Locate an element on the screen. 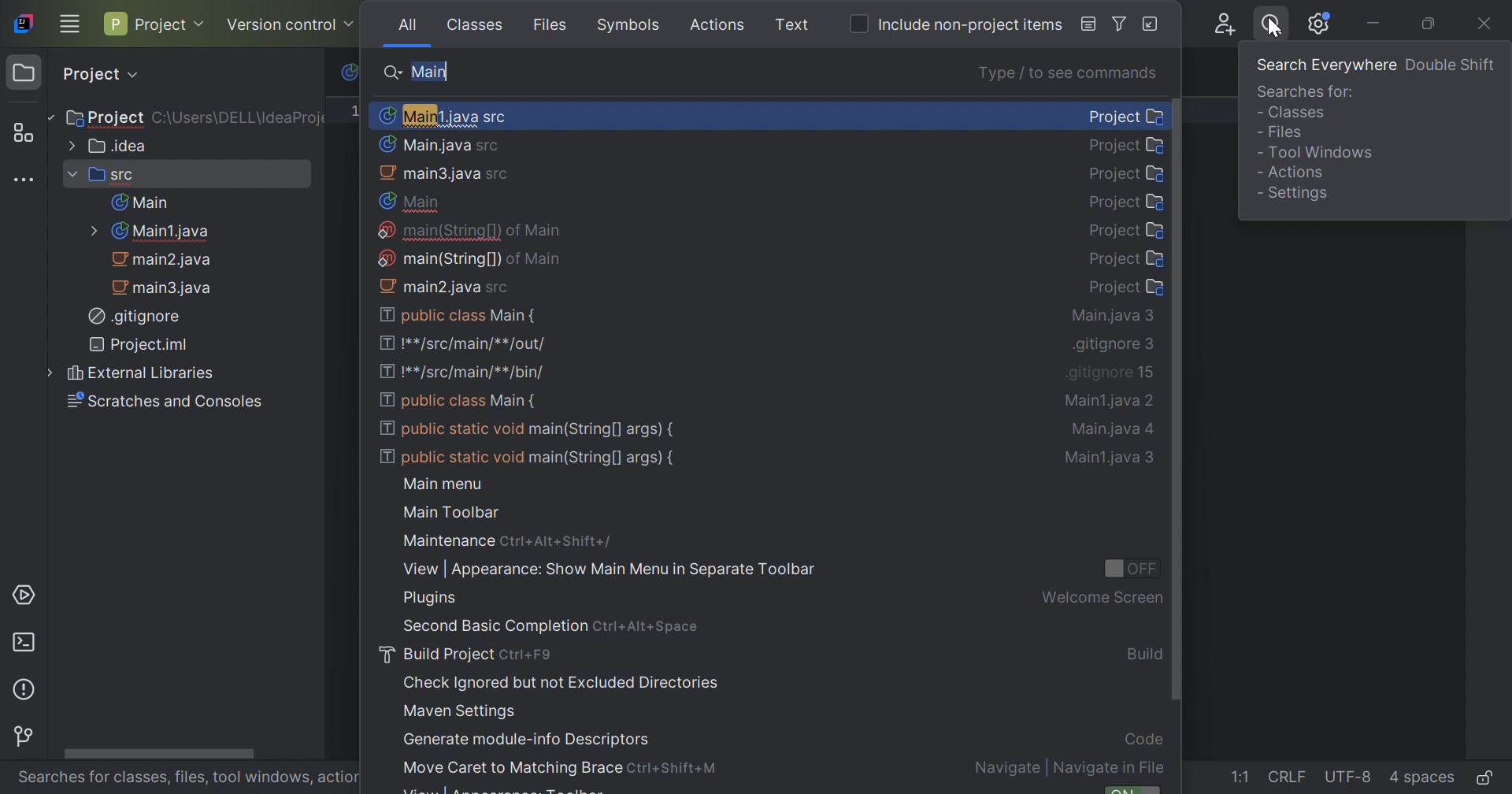 The image size is (1512, 794). Search everywhere is located at coordinates (1267, 28).